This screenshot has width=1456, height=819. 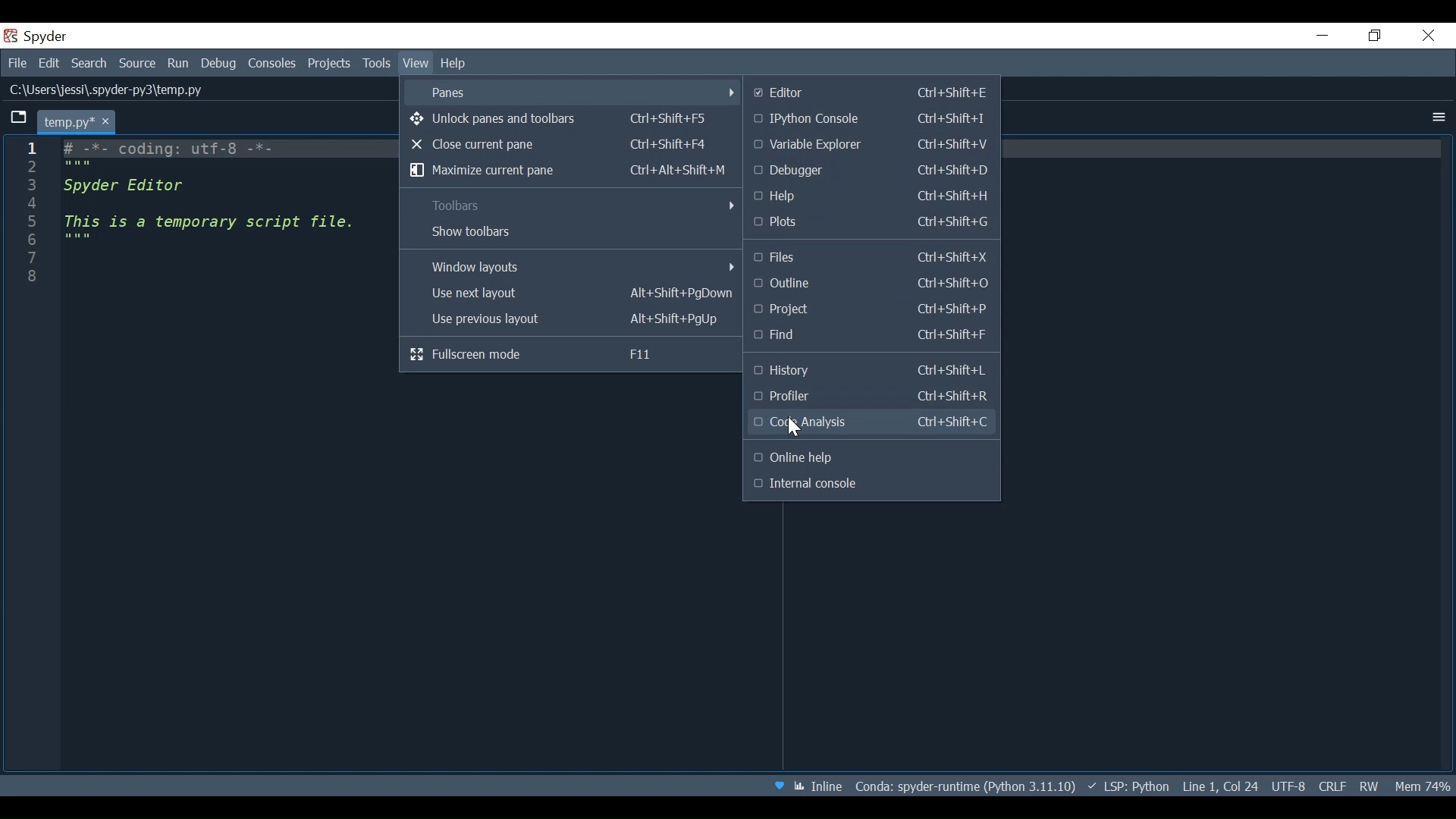 I want to click on Use next layout, so click(x=570, y=294).